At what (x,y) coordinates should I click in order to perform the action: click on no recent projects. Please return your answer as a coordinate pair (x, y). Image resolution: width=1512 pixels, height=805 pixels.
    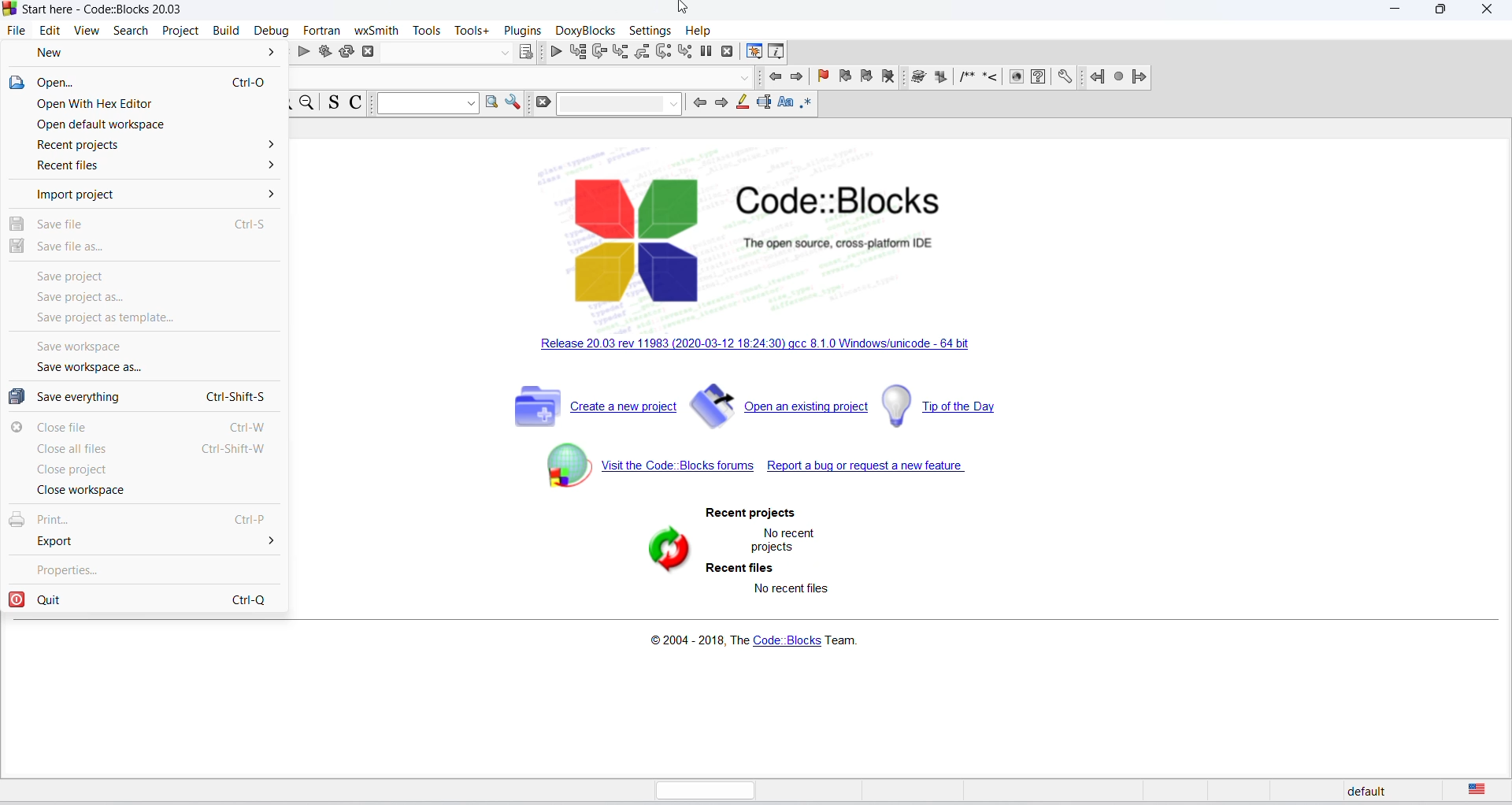
    Looking at the image, I should click on (777, 540).